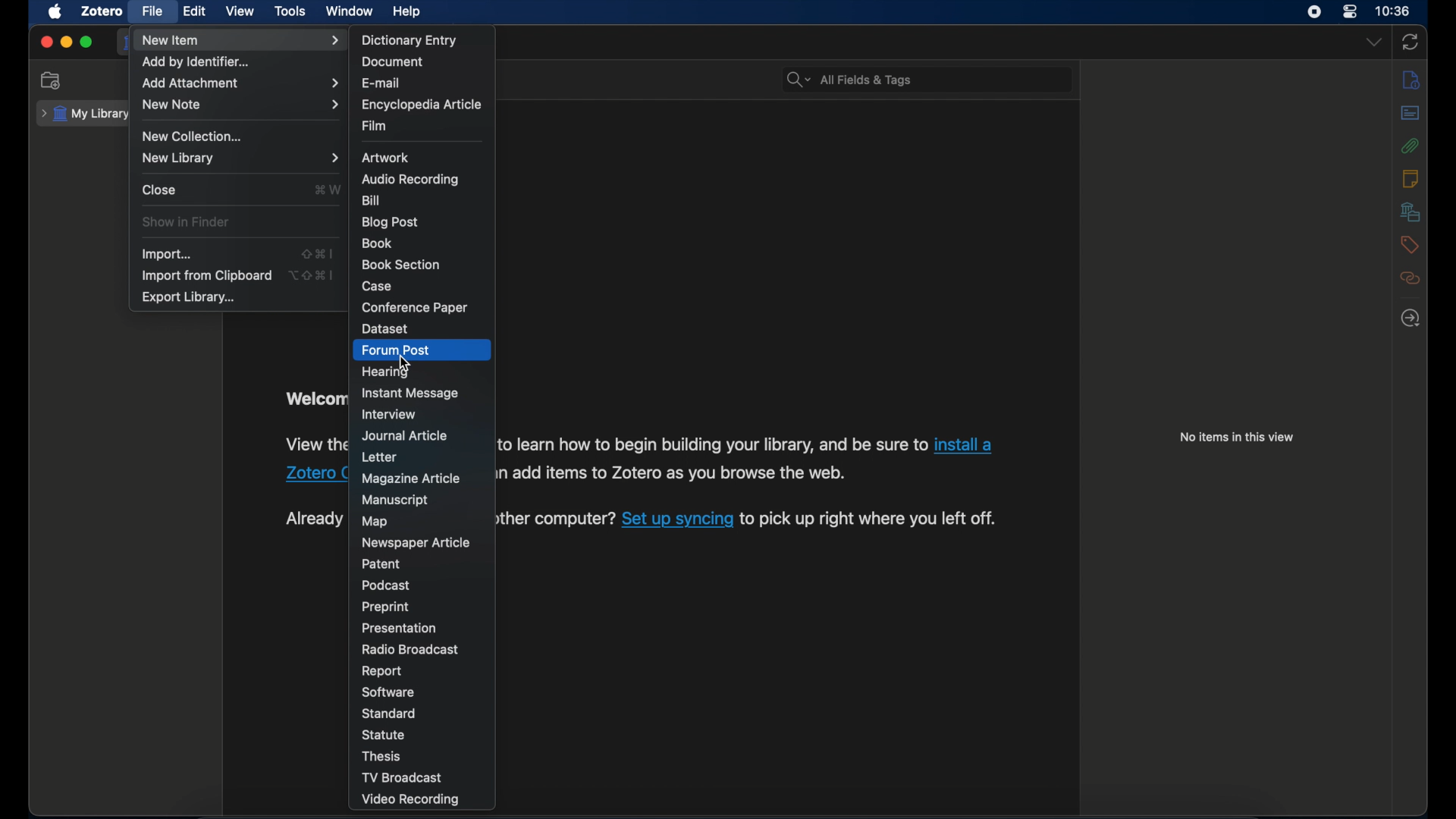 The image size is (1456, 819). What do you see at coordinates (848, 79) in the screenshot?
I see `search bar` at bounding box center [848, 79].